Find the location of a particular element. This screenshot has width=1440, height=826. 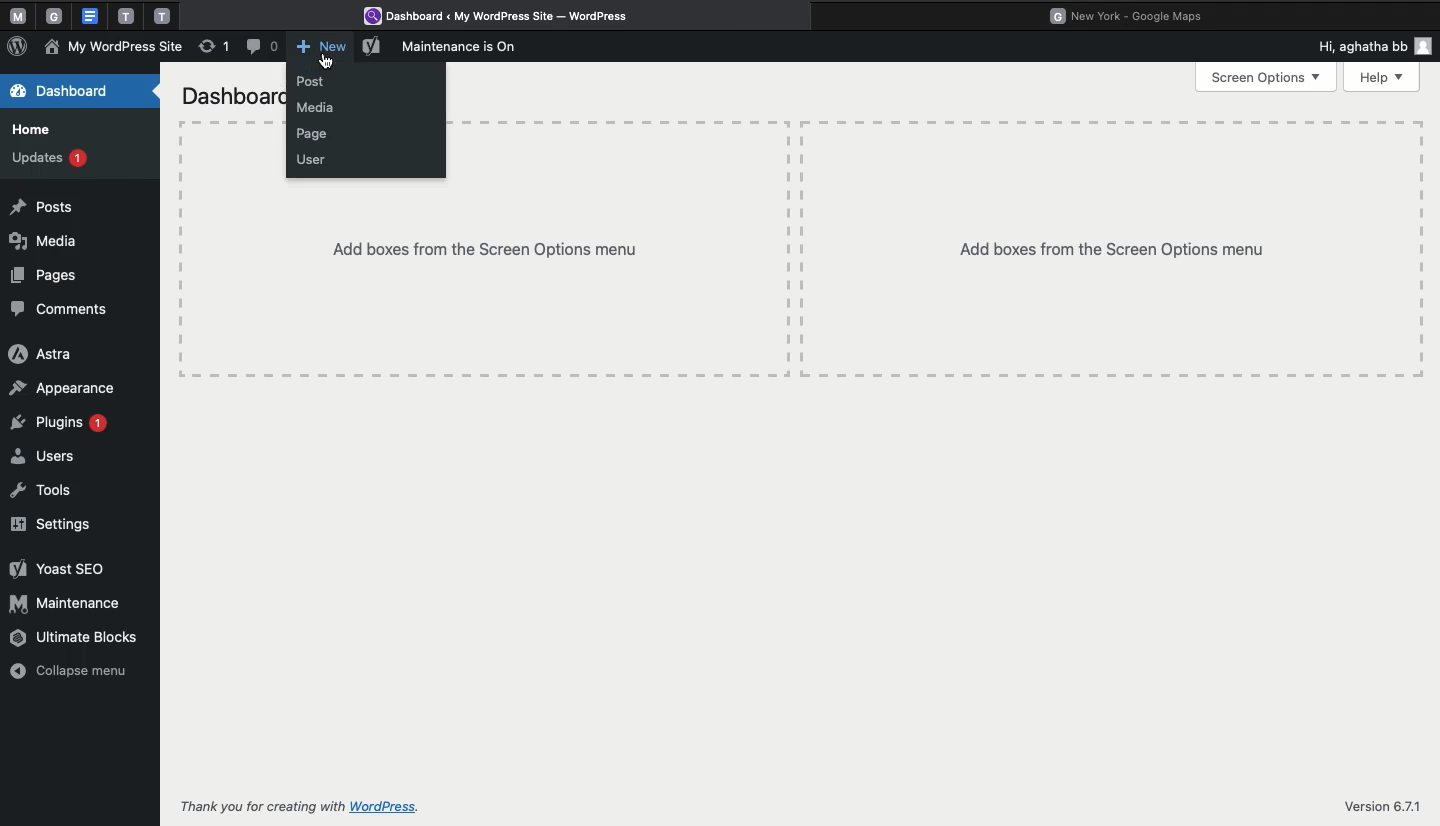

Pages is located at coordinates (52, 277).